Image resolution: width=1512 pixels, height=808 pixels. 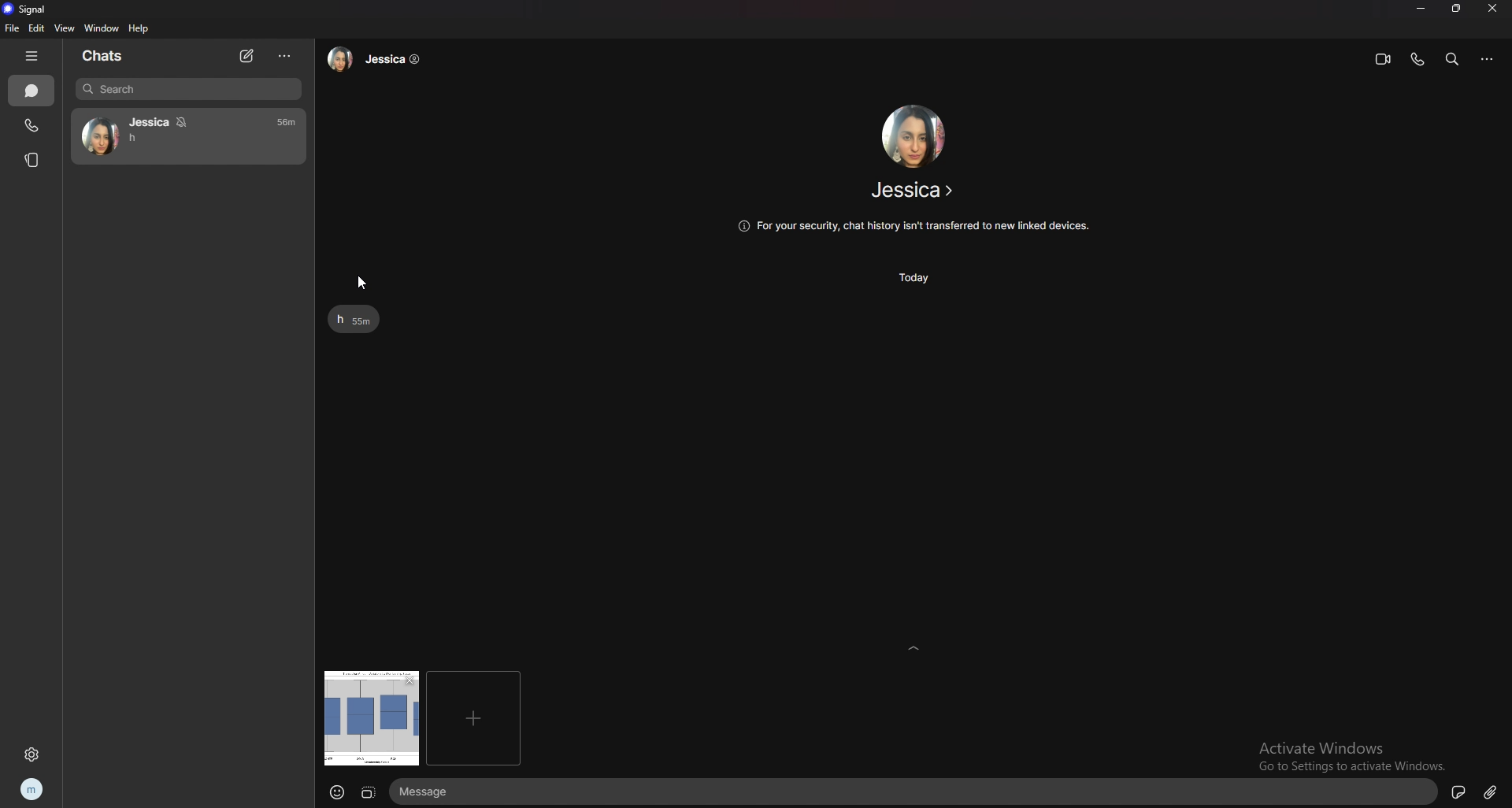 I want to click on close, so click(x=1492, y=8).